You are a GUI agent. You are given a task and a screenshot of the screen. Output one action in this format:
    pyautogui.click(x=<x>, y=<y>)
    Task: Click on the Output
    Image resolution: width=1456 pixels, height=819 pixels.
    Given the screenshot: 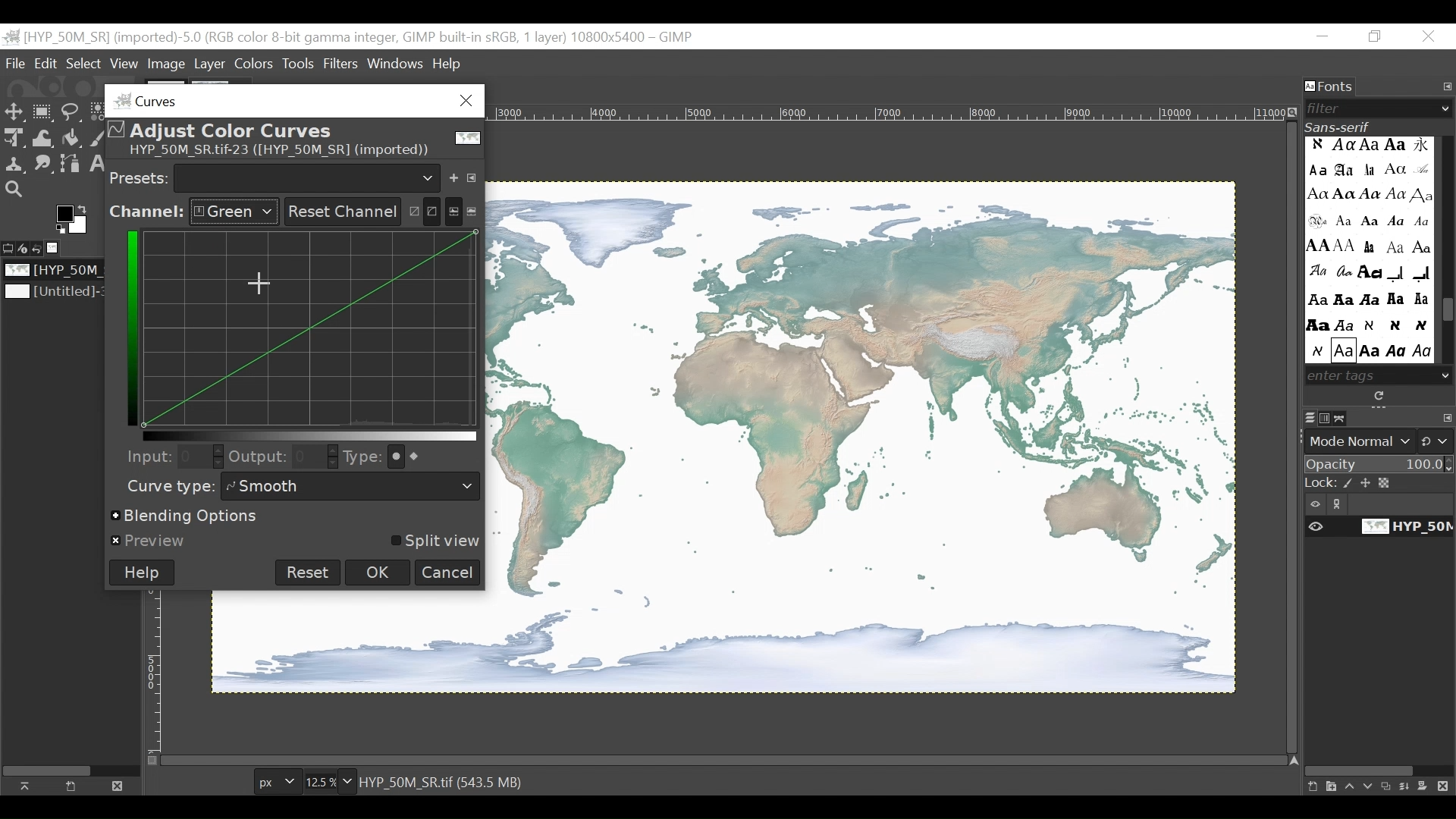 What is the action you would take?
    pyautogui.click(x=258, y=459)
    